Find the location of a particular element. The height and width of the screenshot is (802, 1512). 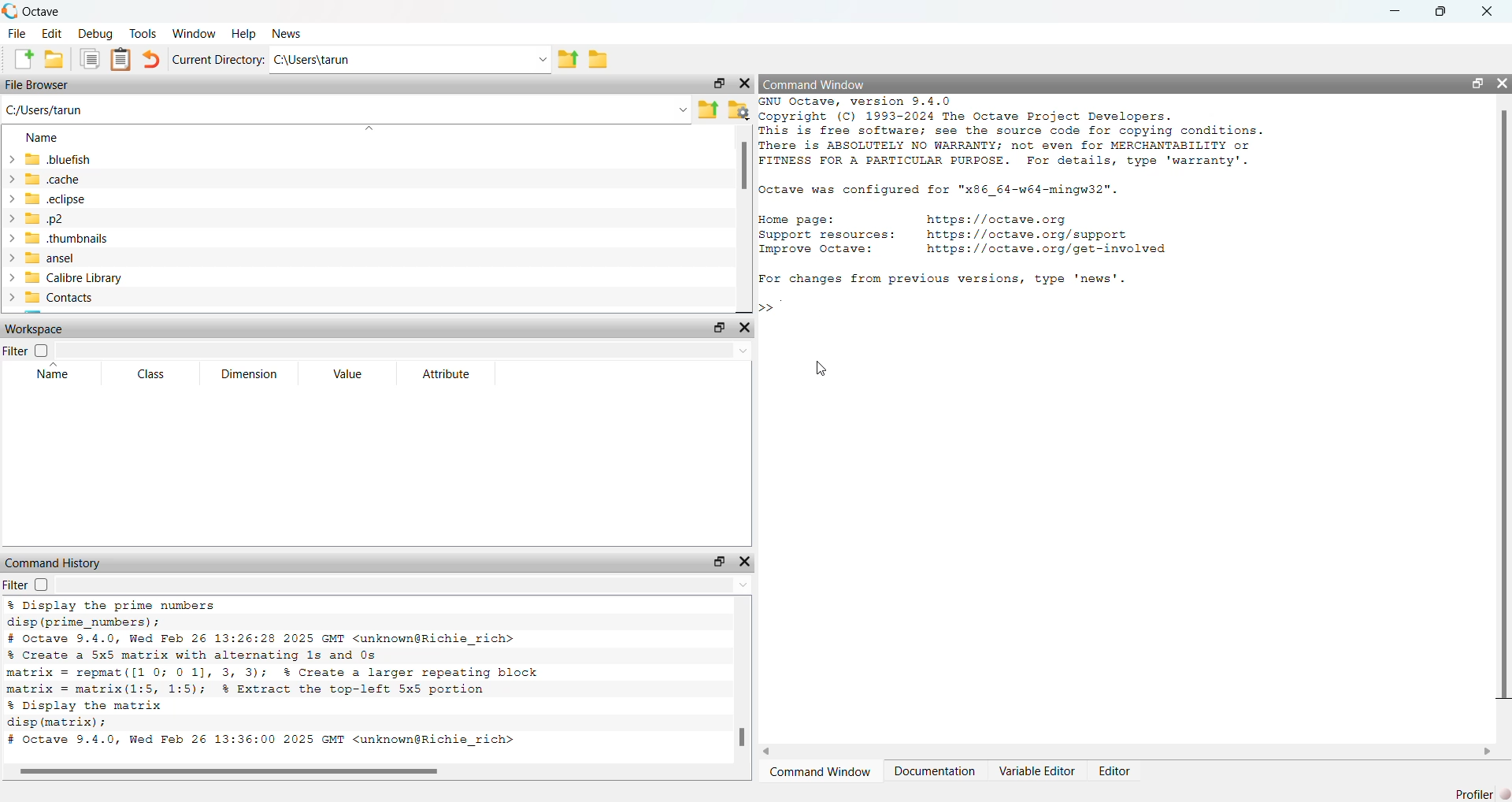

filter is located at coordinates (25, 585).